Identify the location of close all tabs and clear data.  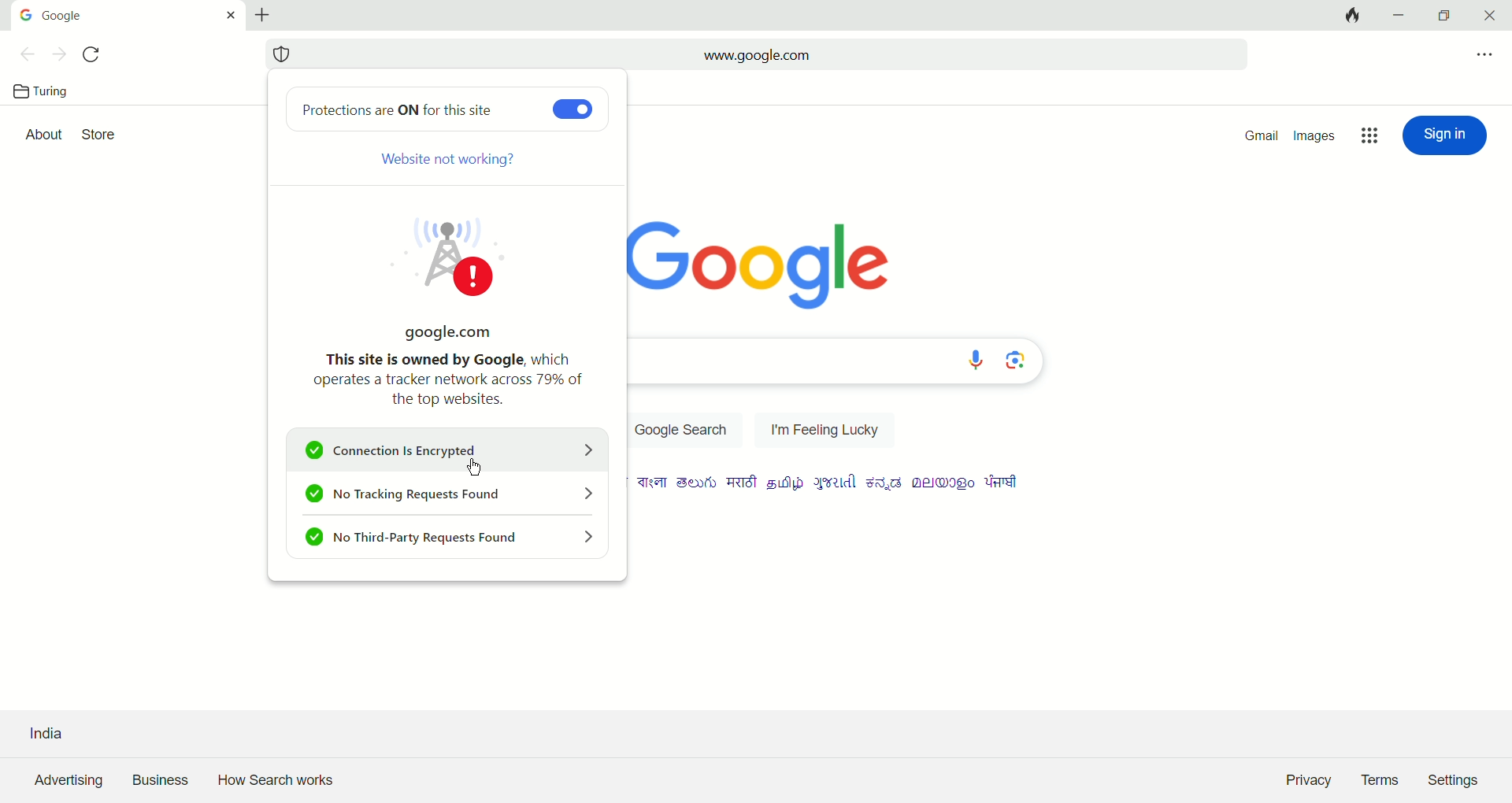
(1351, 16).